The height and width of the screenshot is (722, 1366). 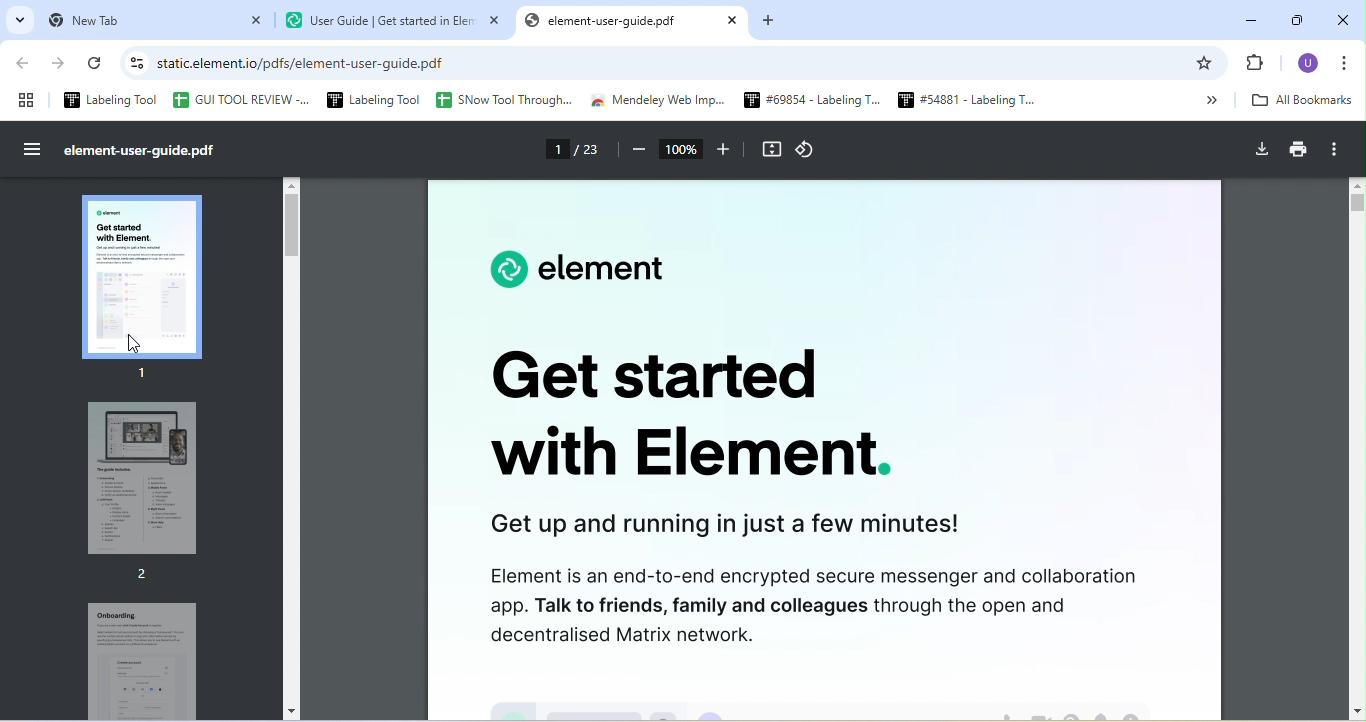 I want to click on minimize, so click(x=1253, y=16).